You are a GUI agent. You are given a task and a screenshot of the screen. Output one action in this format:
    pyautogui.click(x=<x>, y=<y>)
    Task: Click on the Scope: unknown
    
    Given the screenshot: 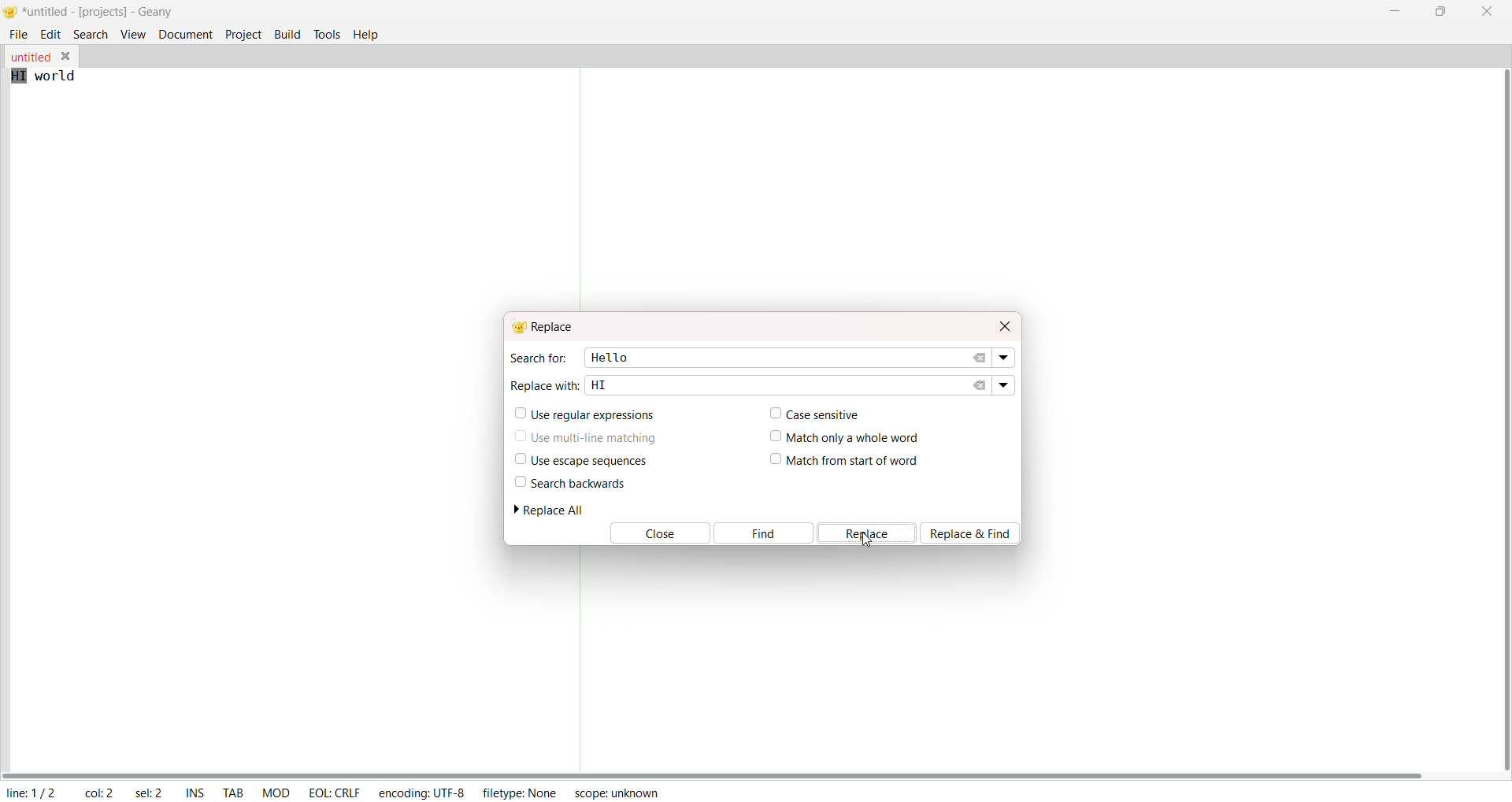 What is the action you would take?
    pyautogui.click(x=616, y=791)
    